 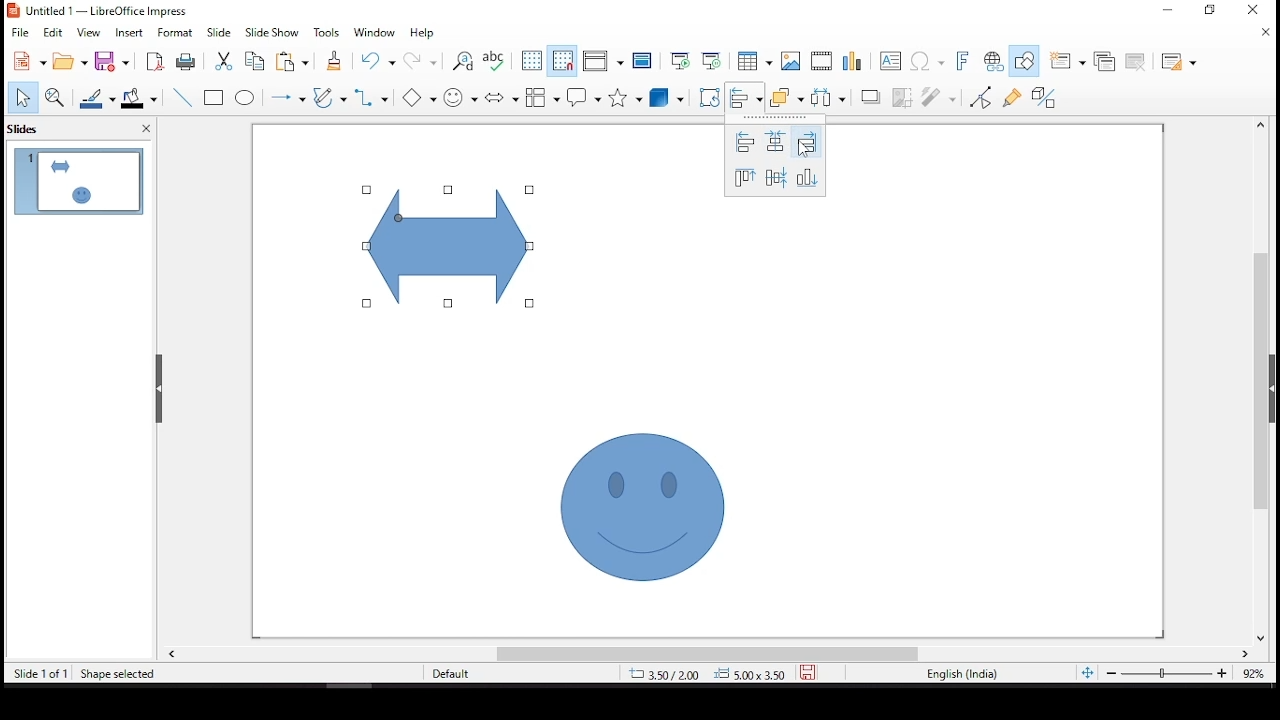 What do you see at coordinates (53, 95) in the screenshot?
I see `zoom and pan` at bounding box center [53, 95].